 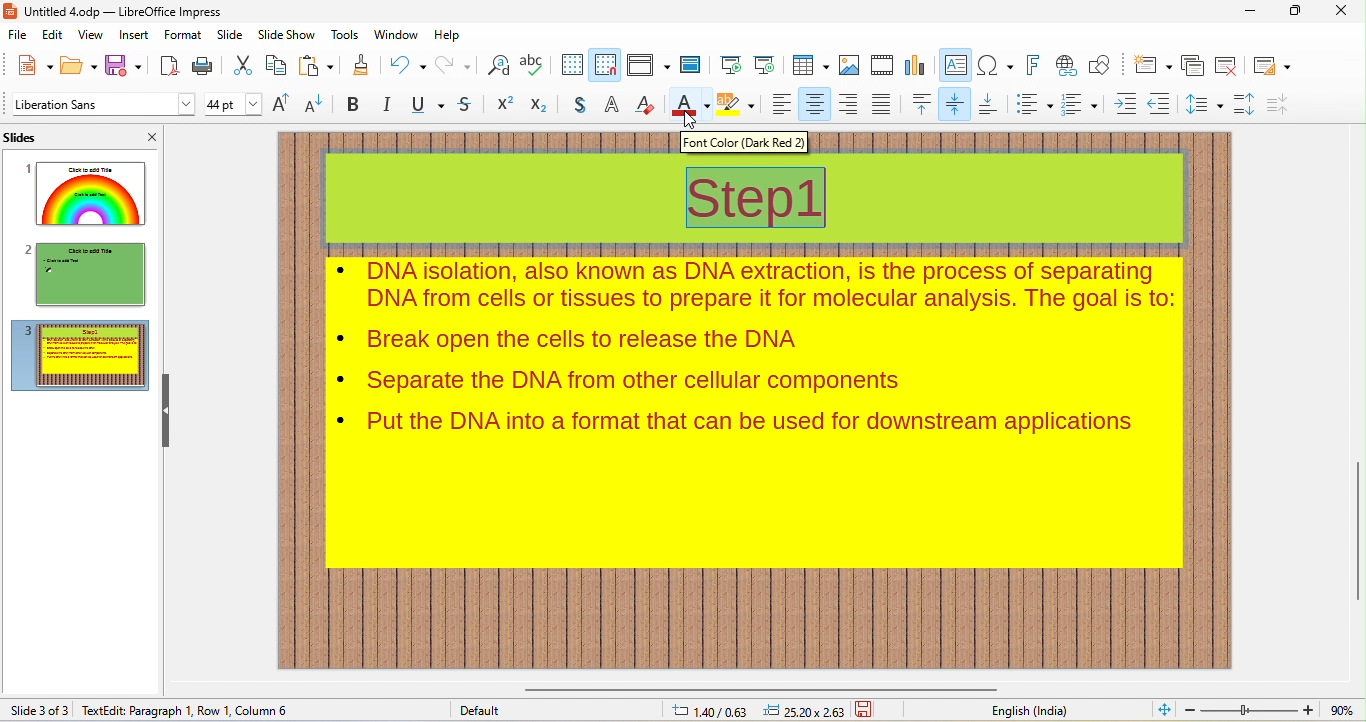 I want to click on horizontal scroll, so click(x=782, y=690).